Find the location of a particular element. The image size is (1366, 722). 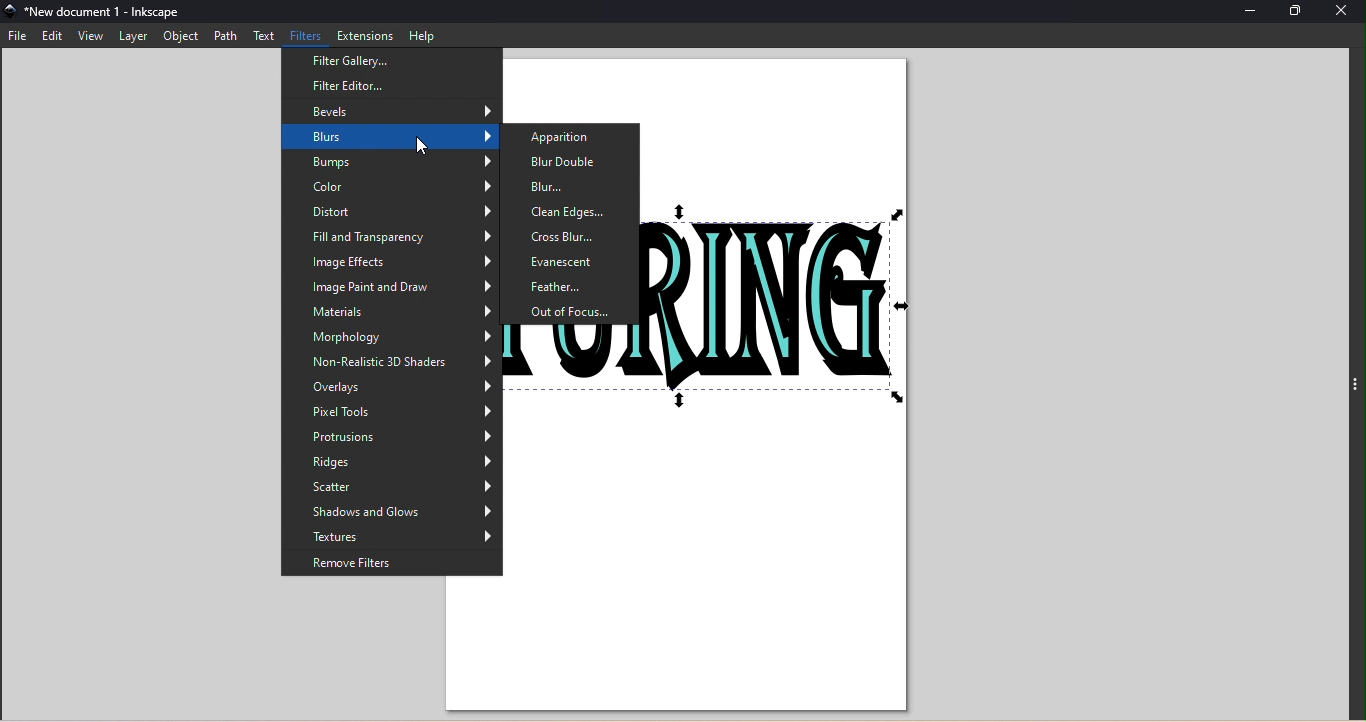

Distort is located at coordinates (391, 212).